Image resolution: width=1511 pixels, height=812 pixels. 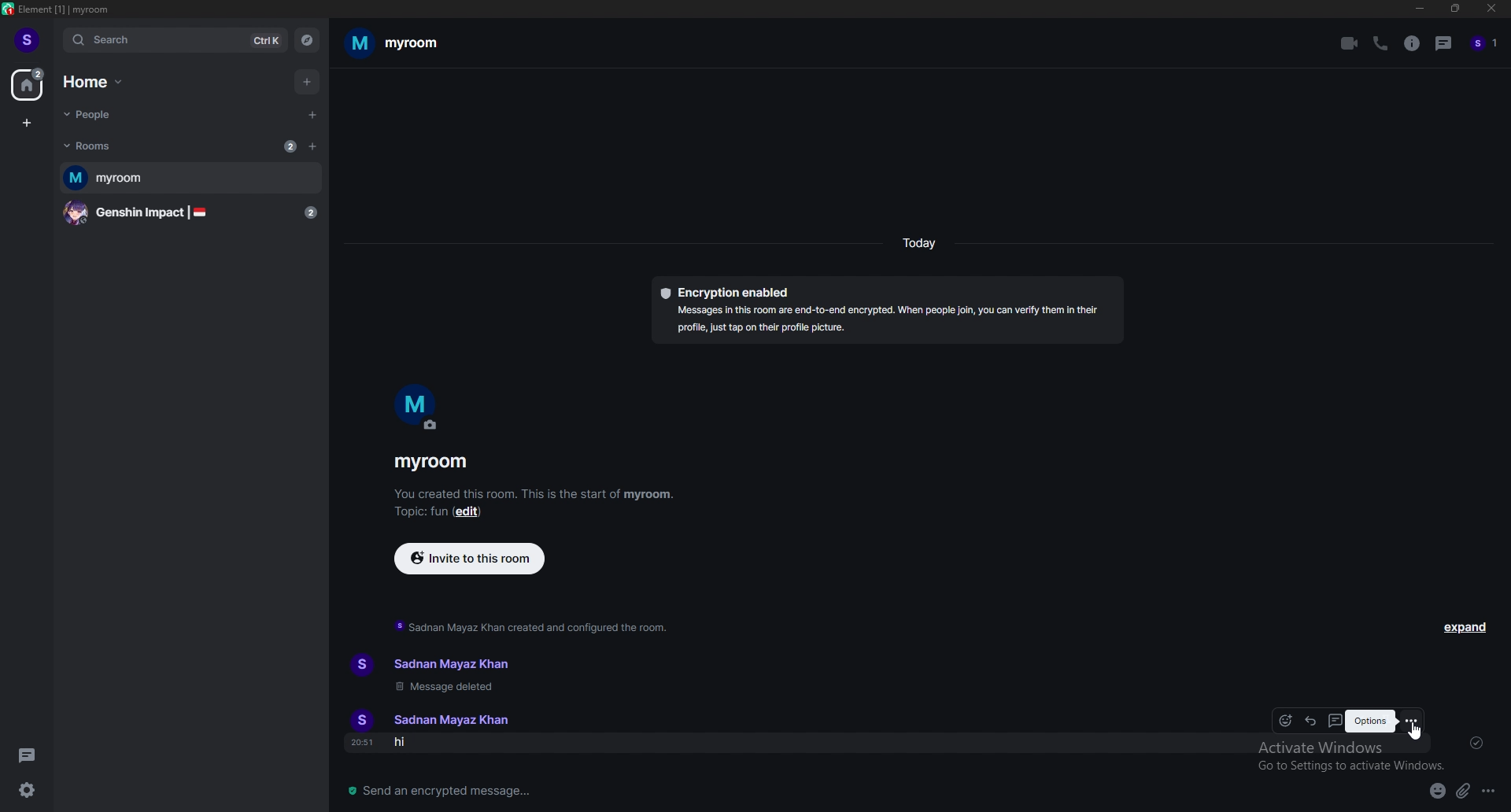 I want to click on profile, so click(x=27, y=39).